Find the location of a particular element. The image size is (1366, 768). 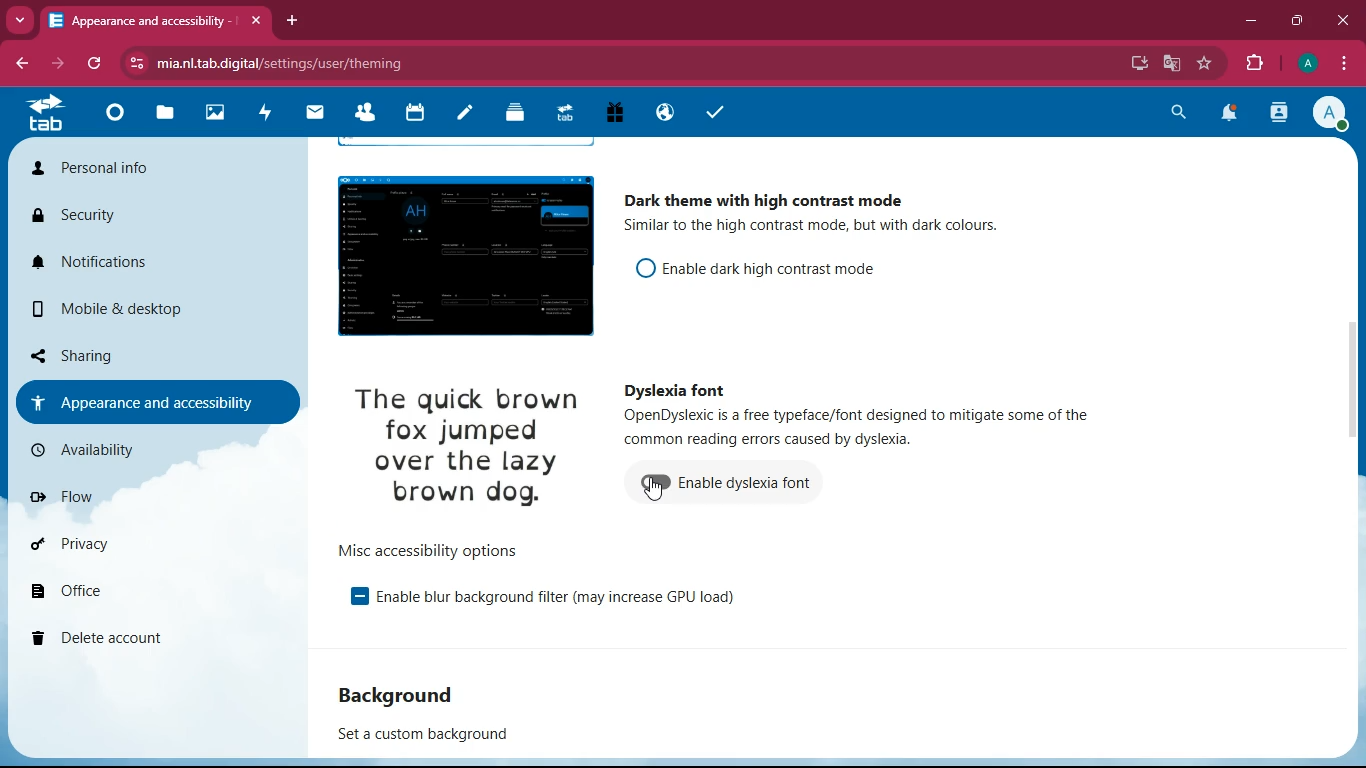

dyslexia is located at coordinates (673, 390).